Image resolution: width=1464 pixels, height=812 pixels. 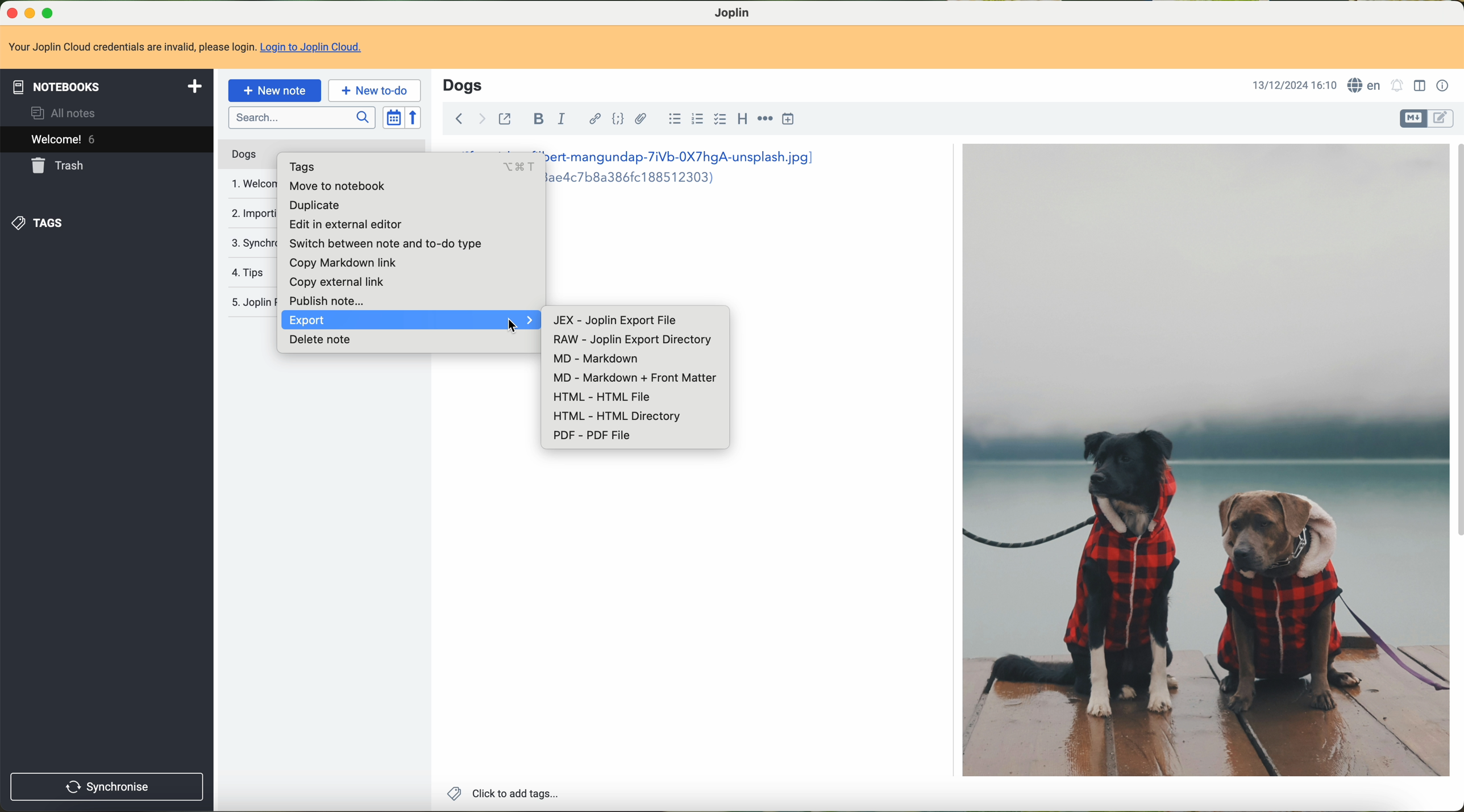 I want to click on set alarm, so click(x=1396, y=85).